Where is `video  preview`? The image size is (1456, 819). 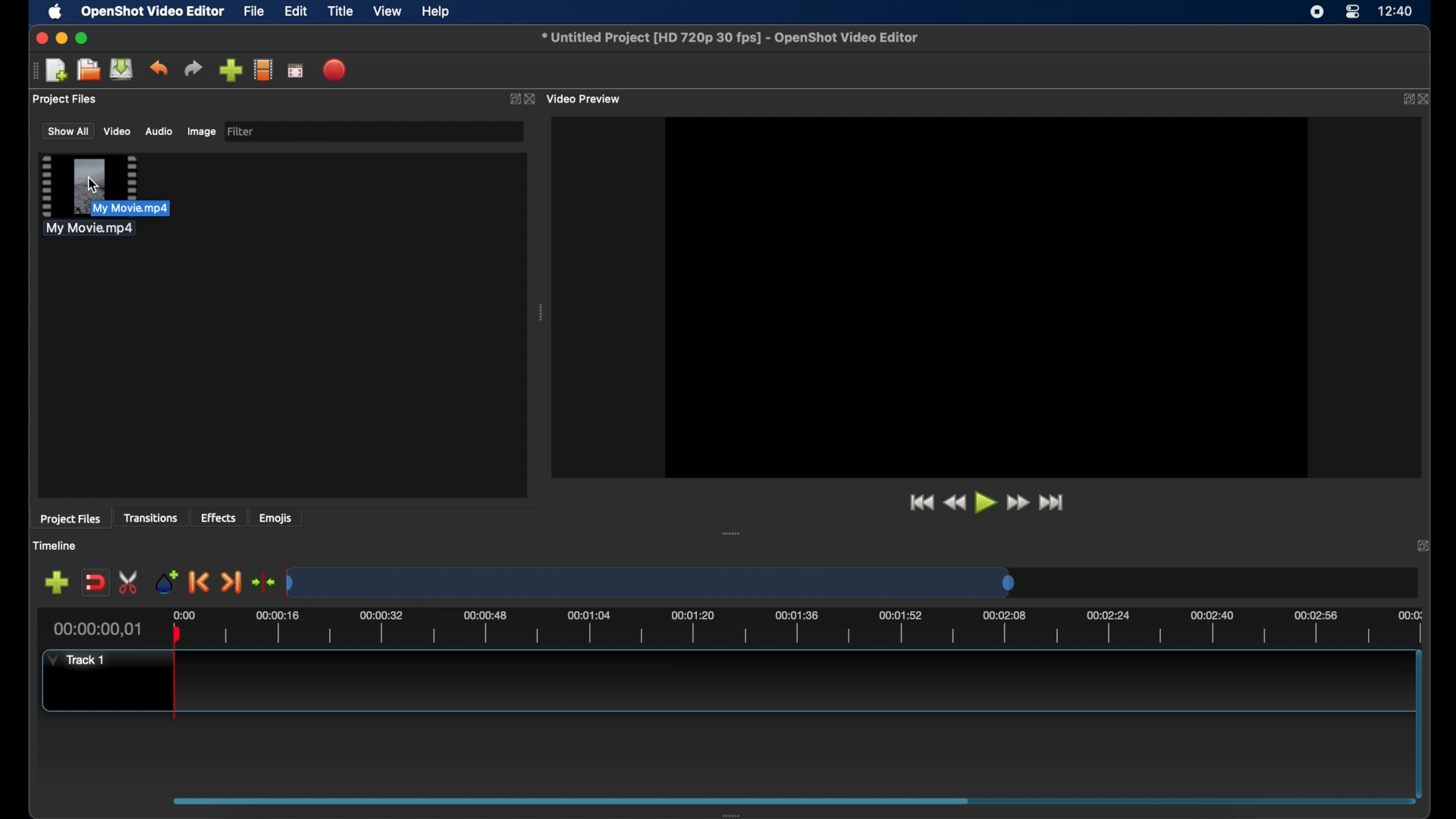 video  preview is located at coordinates (1003, 291).